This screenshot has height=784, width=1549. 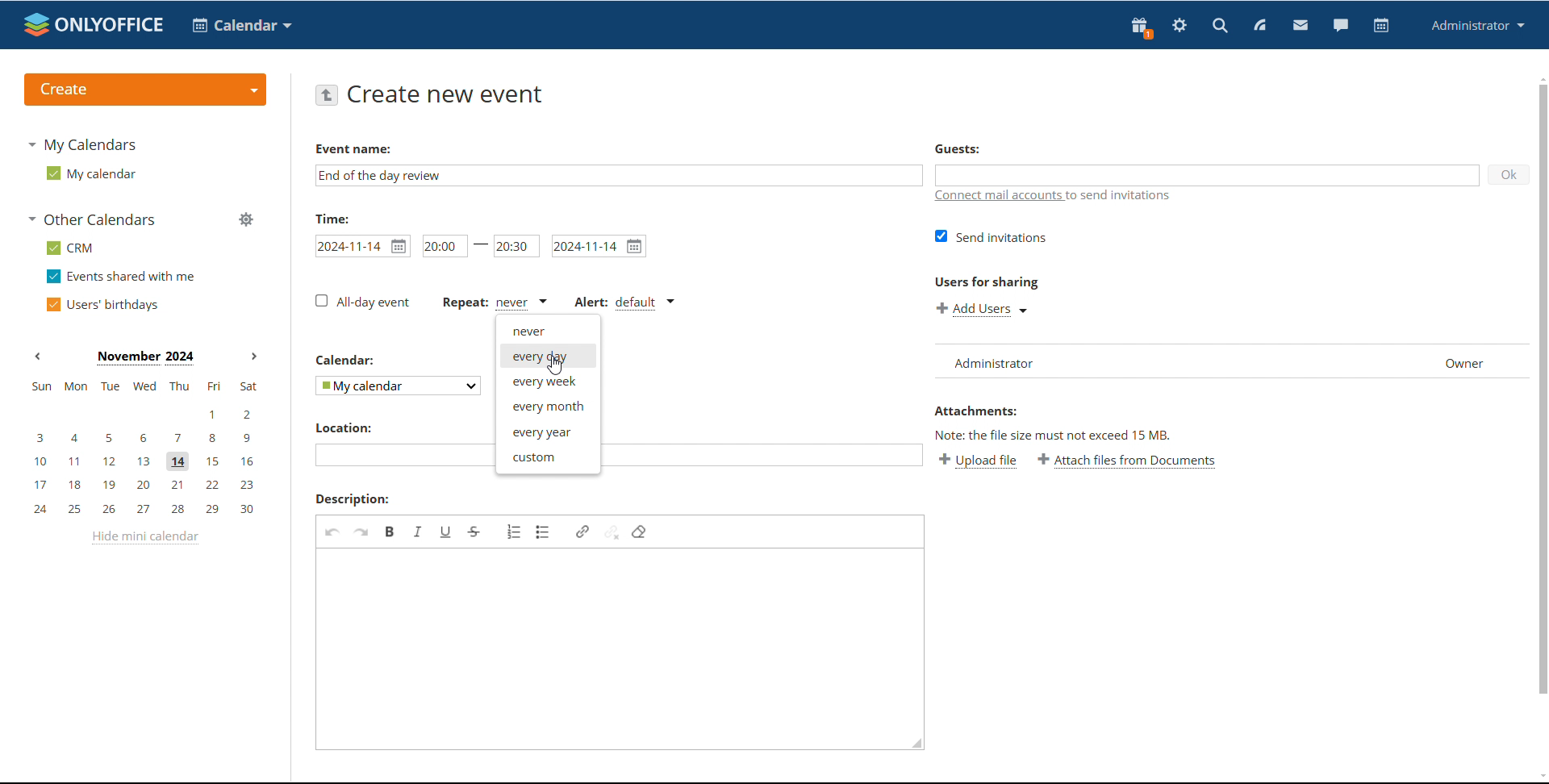 I want to click on link, so click(x=582, y=532).